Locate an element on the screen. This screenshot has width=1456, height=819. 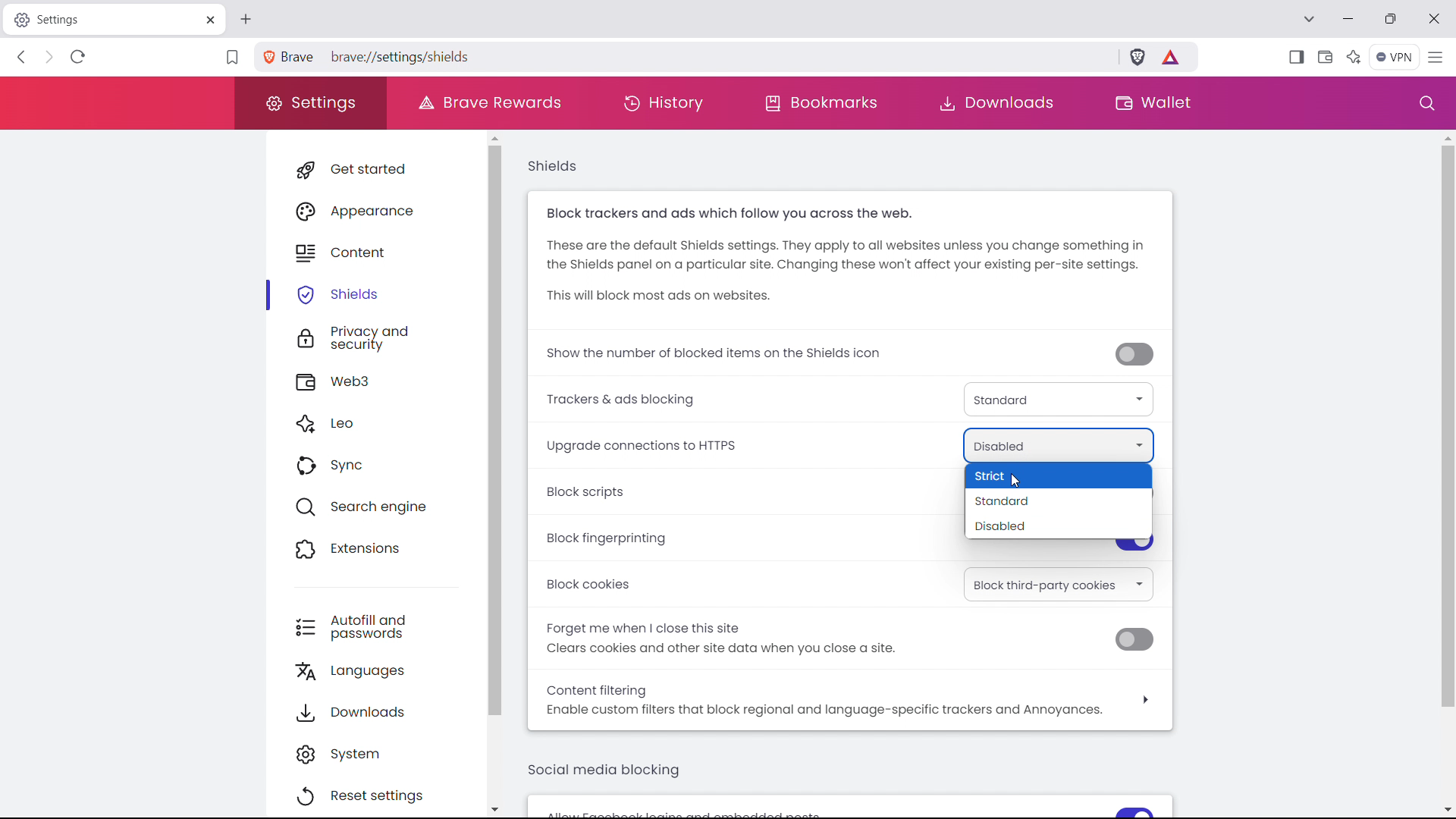
Block cookies is located at coordinates (591, 584).